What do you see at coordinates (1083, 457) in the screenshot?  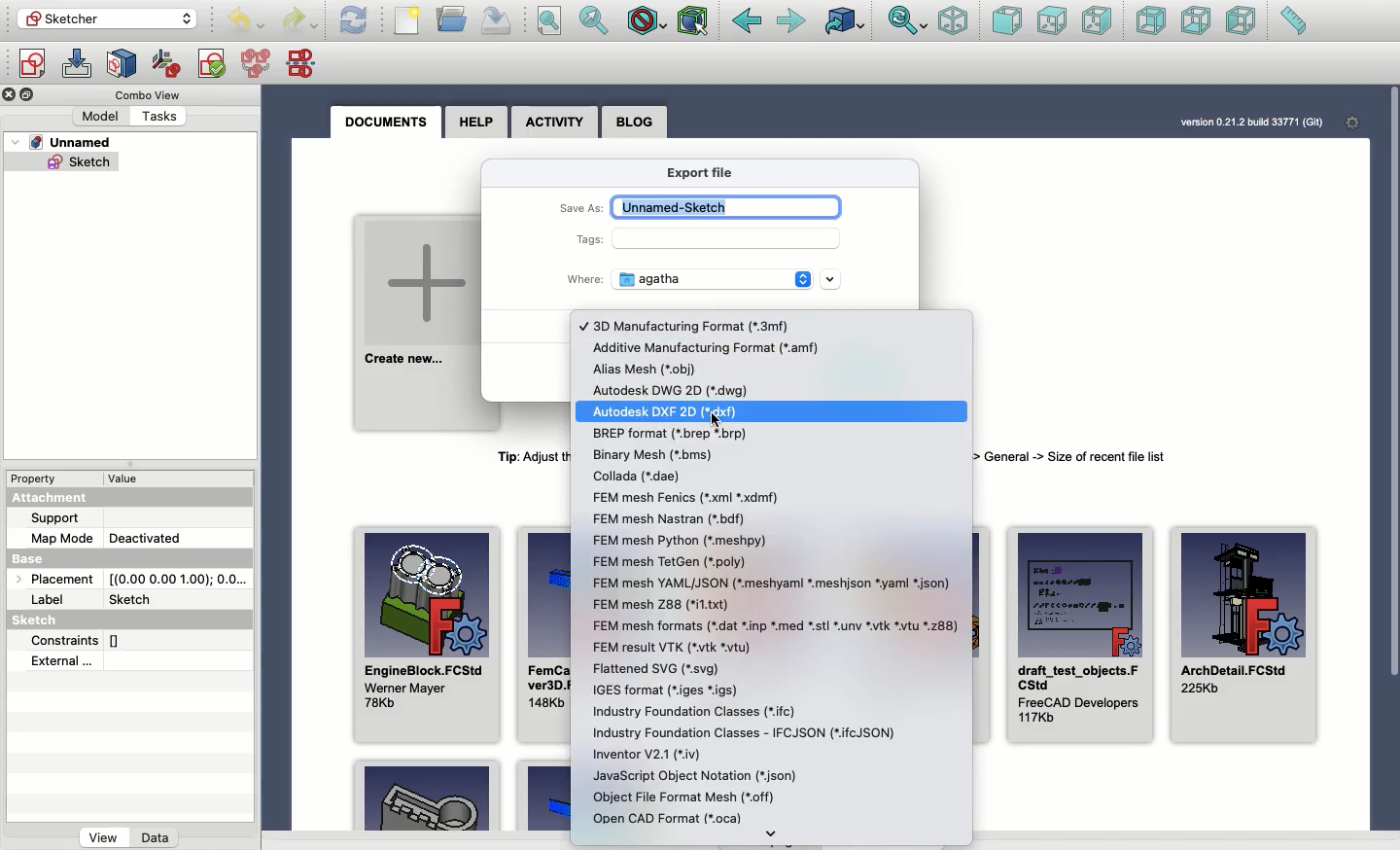 I see `Tip: Adjust the number of recent files to be shown here in menu Edit -> Preferences -> General -> Size of recent fle list` at bounding box center [1083, 457].